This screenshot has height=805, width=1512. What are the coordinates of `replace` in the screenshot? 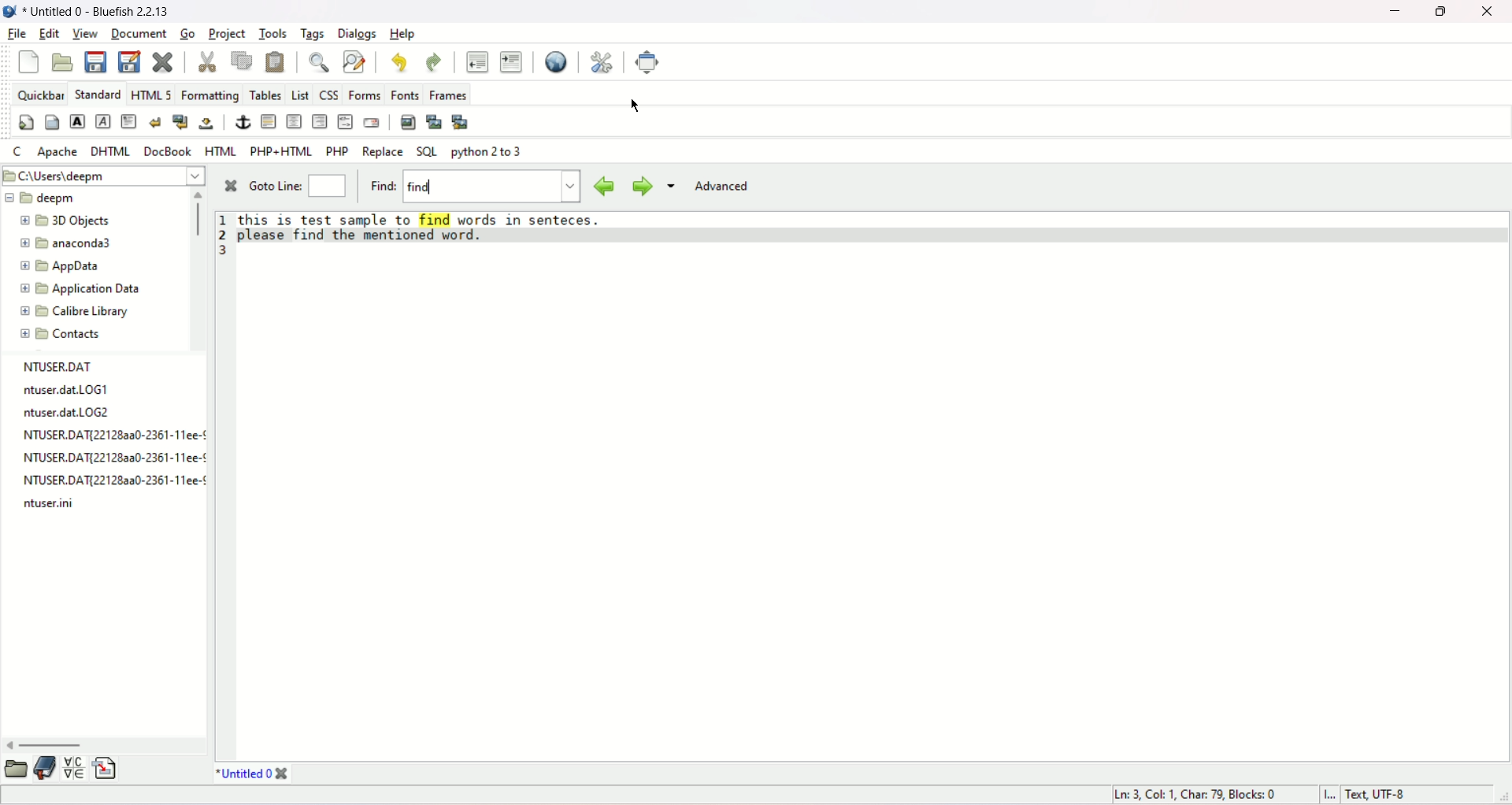 It's located at (384, 152).